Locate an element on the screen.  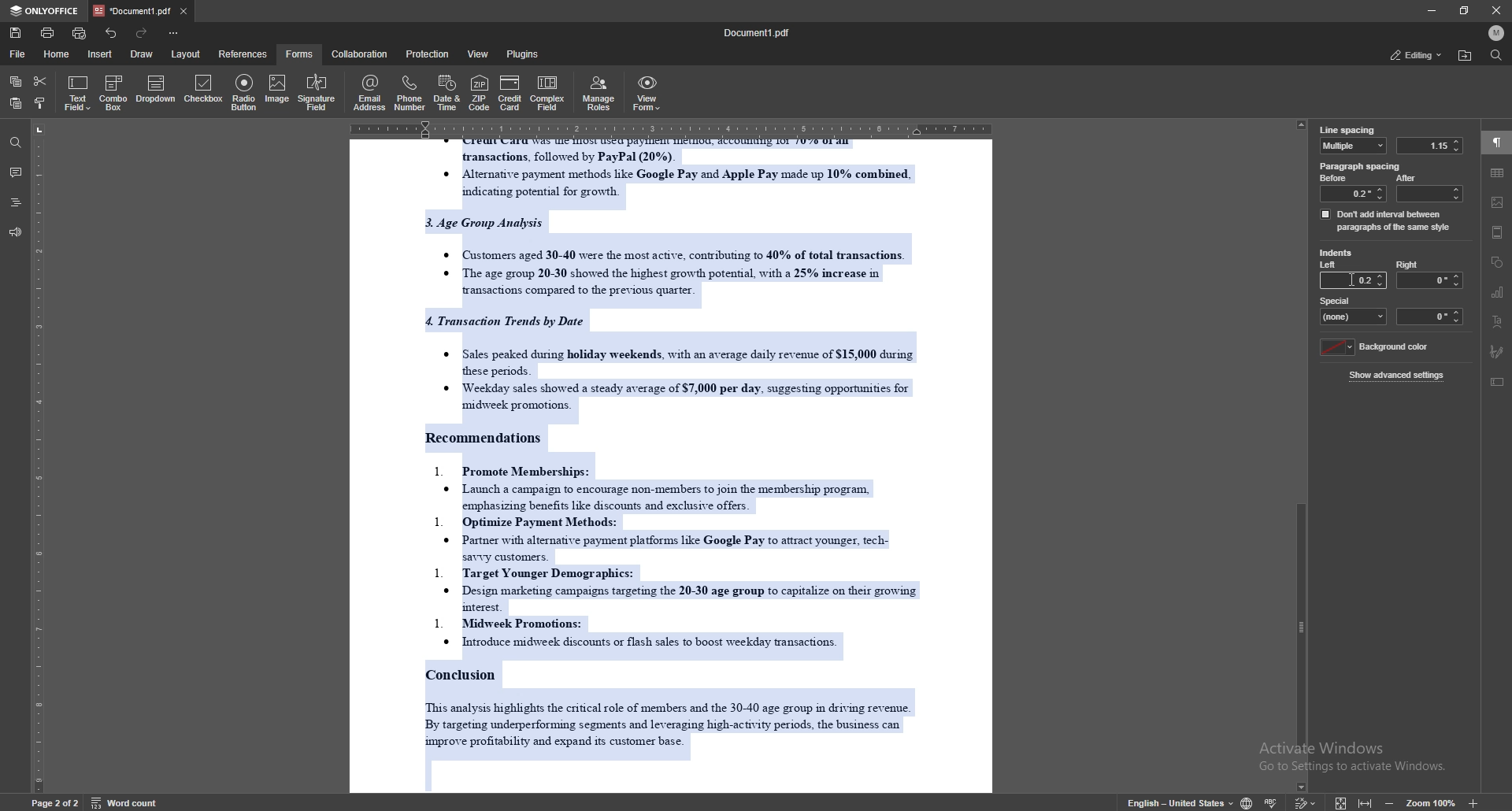
copy style is located at coordinates (42, 105).